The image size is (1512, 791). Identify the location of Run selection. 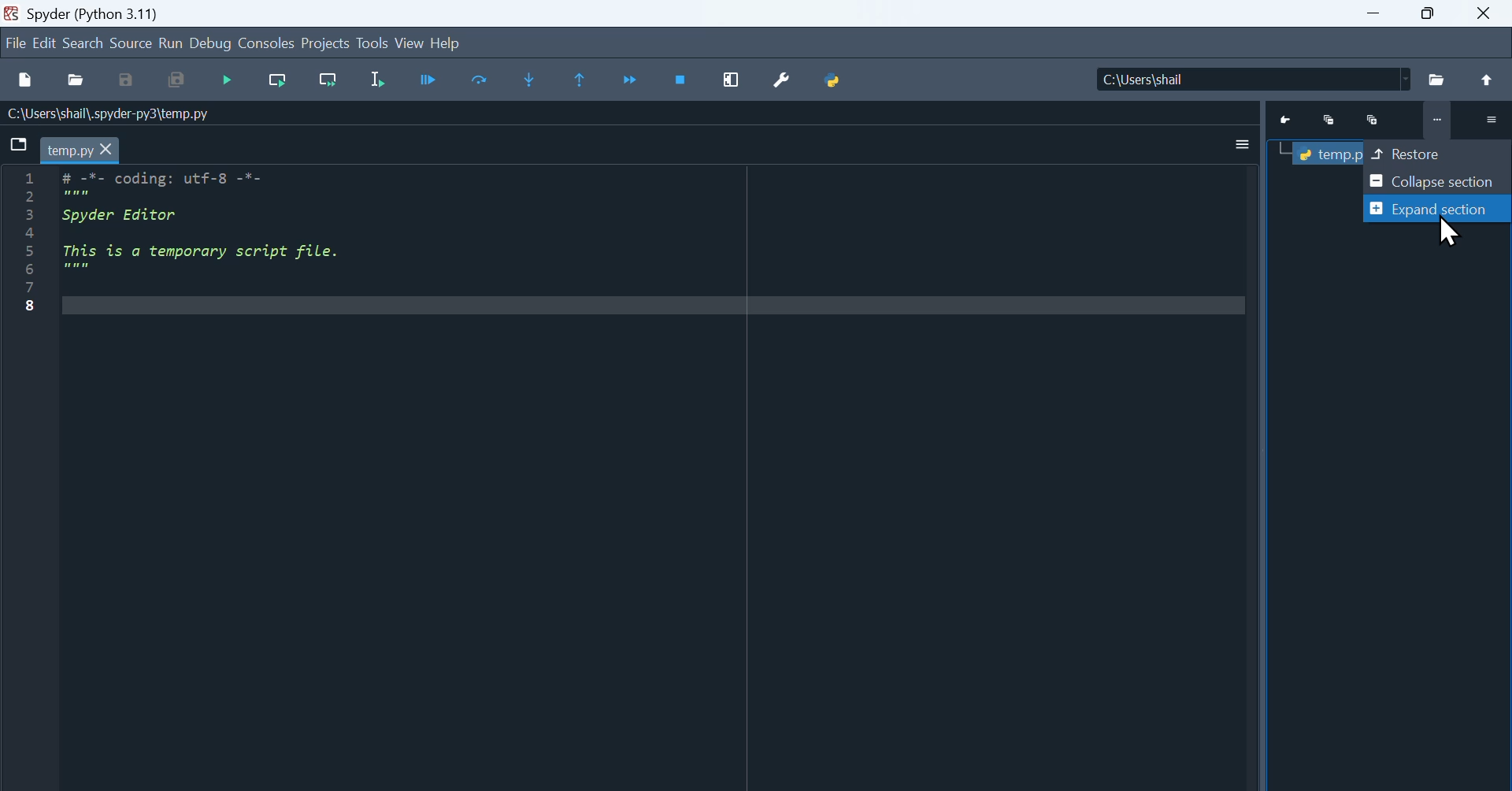
(376, 83).